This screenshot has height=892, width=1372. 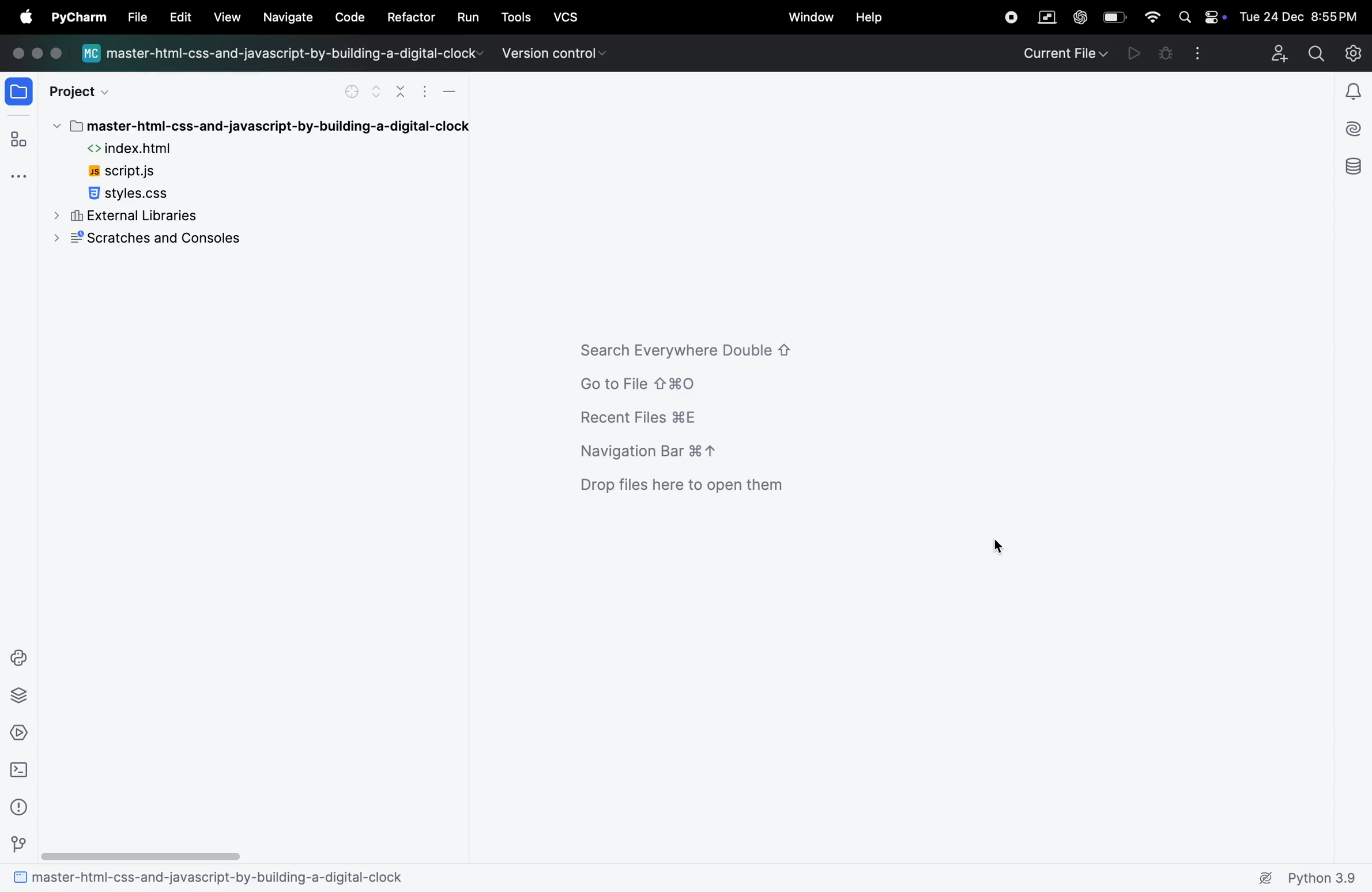 I want to click on add profile, so click(x=1273, y=52).